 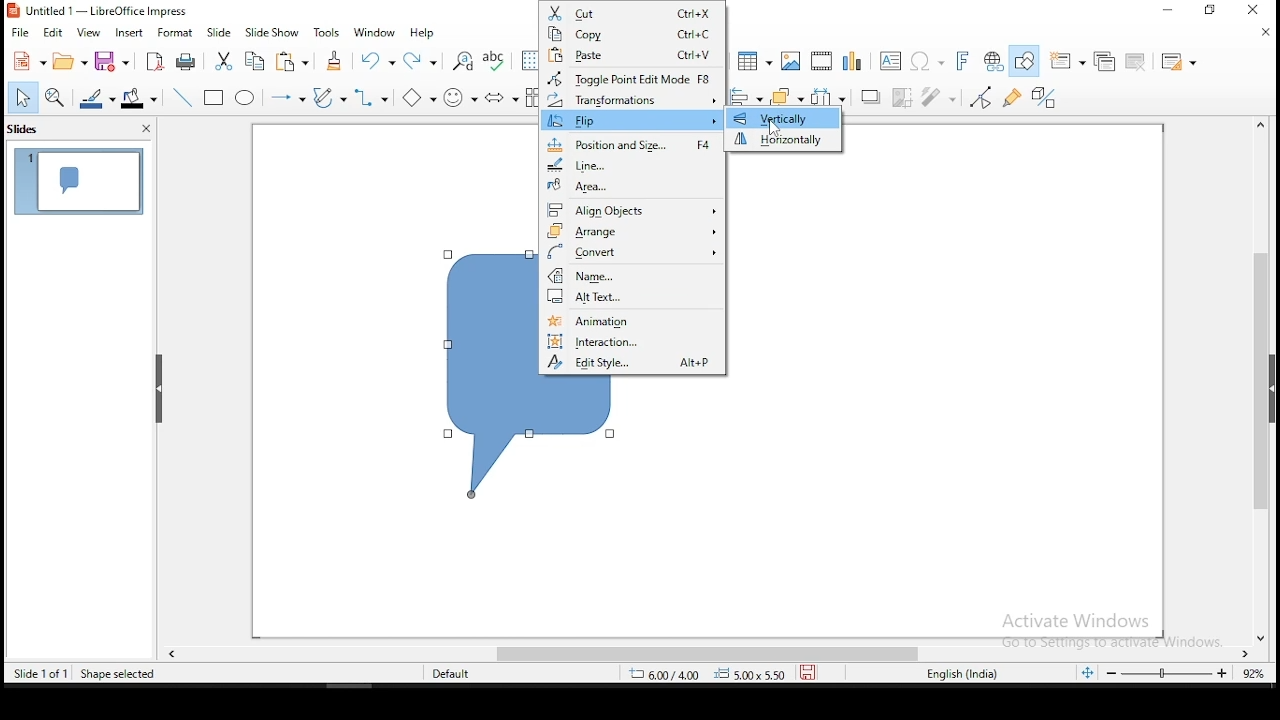 I want to click on toggle point edit mode, so click(x=632, y=79).